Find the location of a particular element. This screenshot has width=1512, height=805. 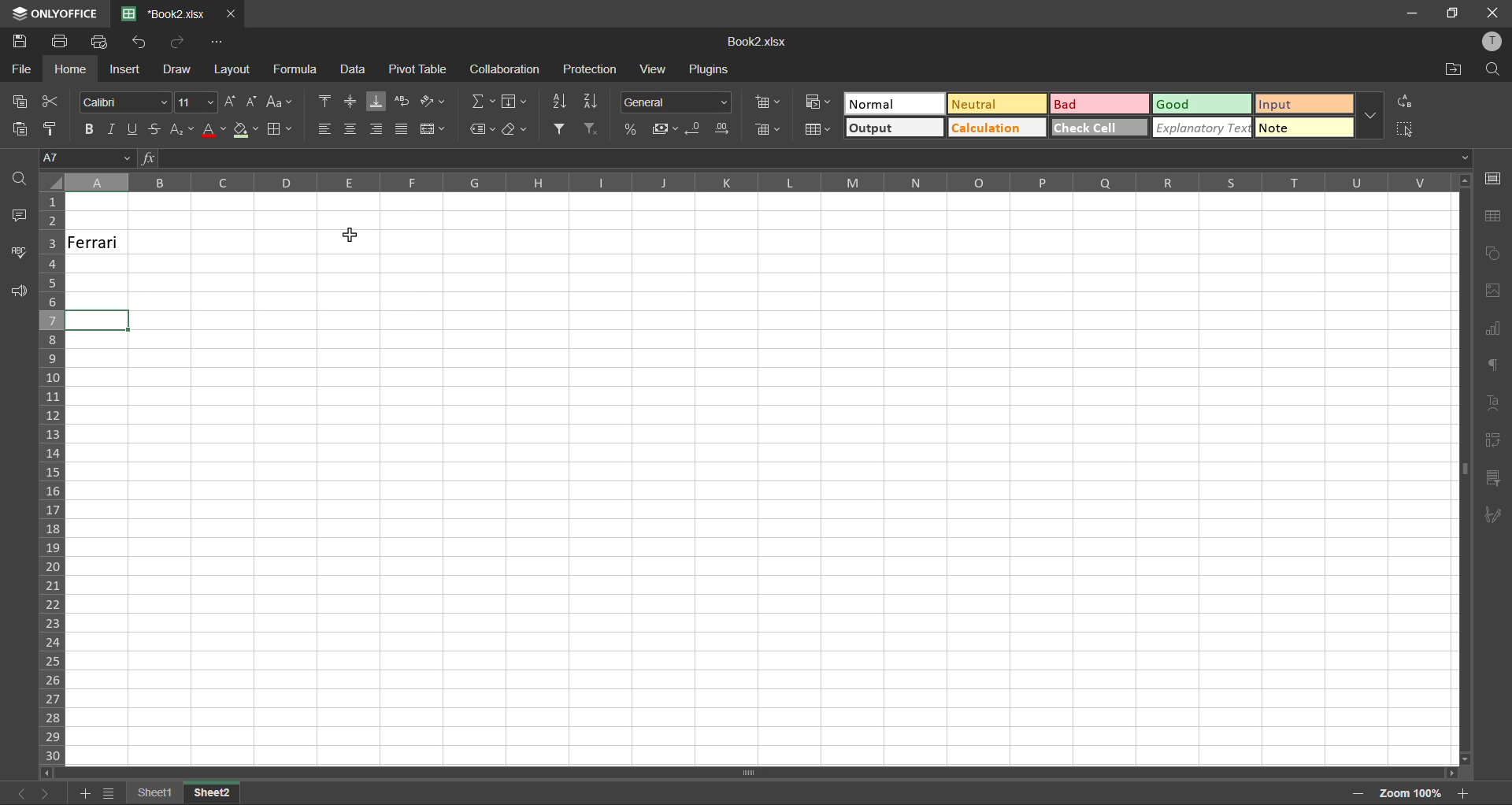

find is located at coordinates (20, 180).